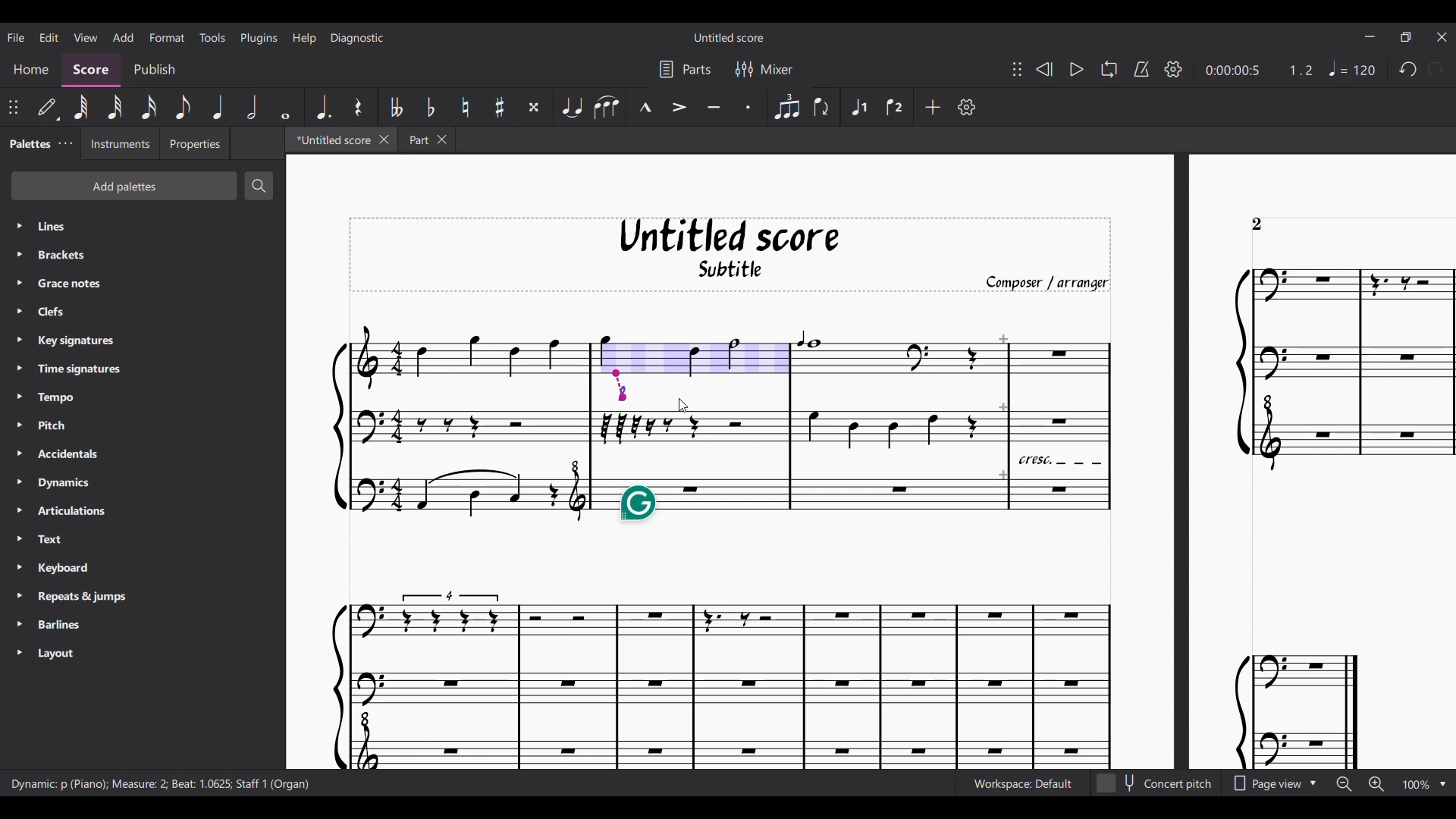 This screenshot has height=819, width=1456. What do you see at coordinates (1156, 783) in the screenshot?
I see `Toggle for Concert pitch` at bounding box center [1156, 783].